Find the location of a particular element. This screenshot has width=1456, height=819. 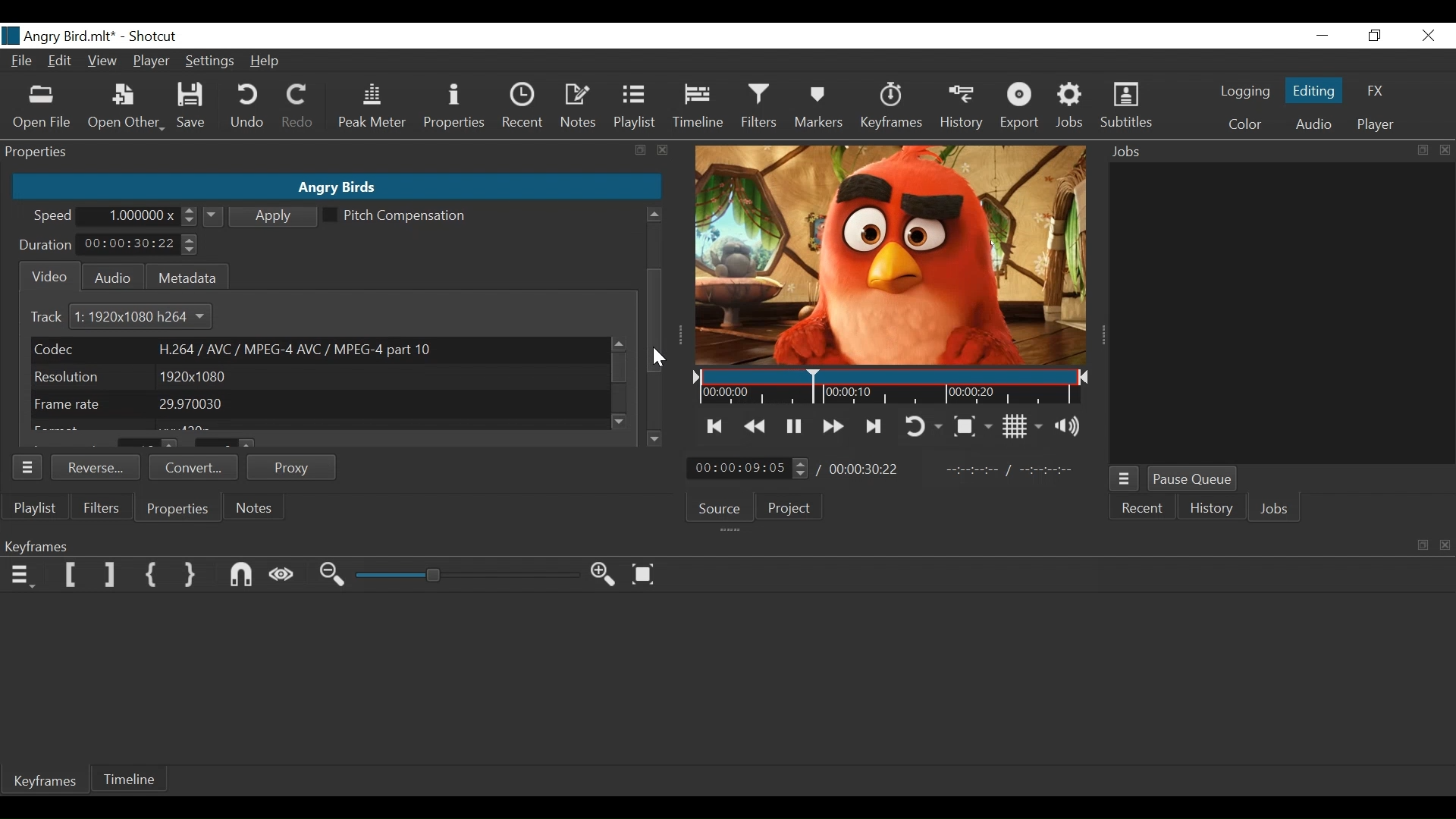

Toggle play or pause (space) is located at coordinates (793, 425).